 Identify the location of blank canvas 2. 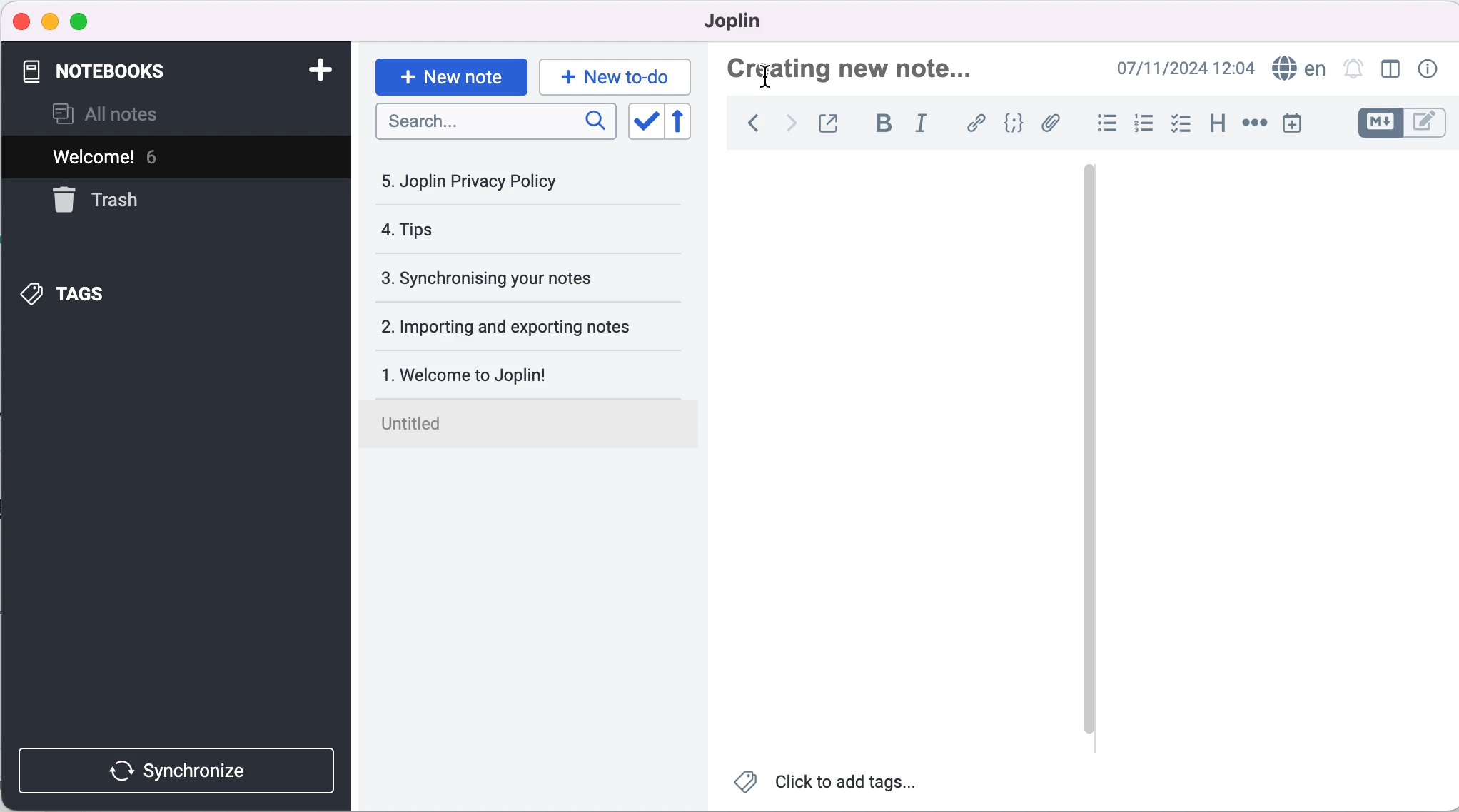
(1276, 460).